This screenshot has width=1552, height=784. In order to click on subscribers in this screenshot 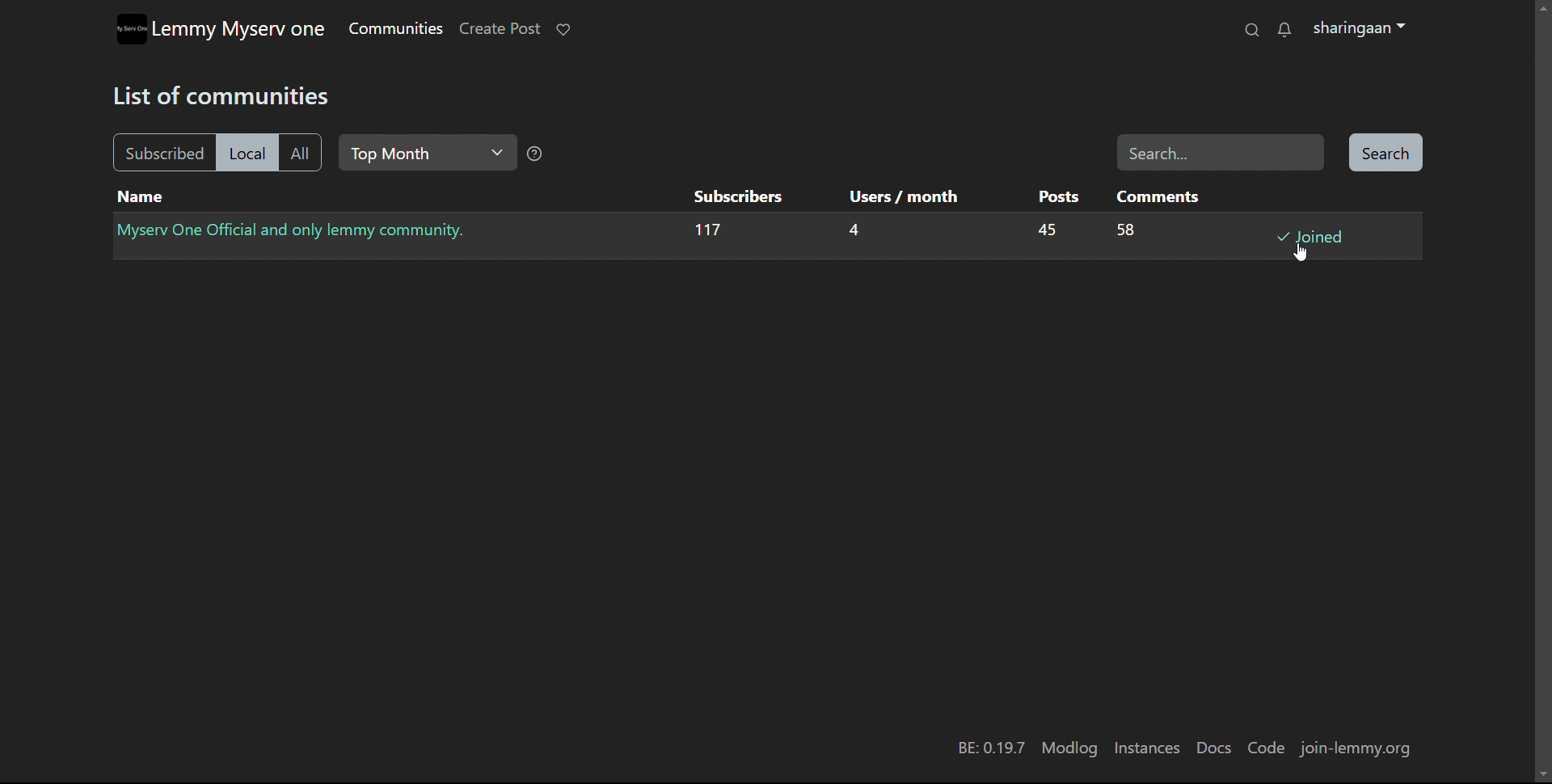, I will do `click(735, 196)`.